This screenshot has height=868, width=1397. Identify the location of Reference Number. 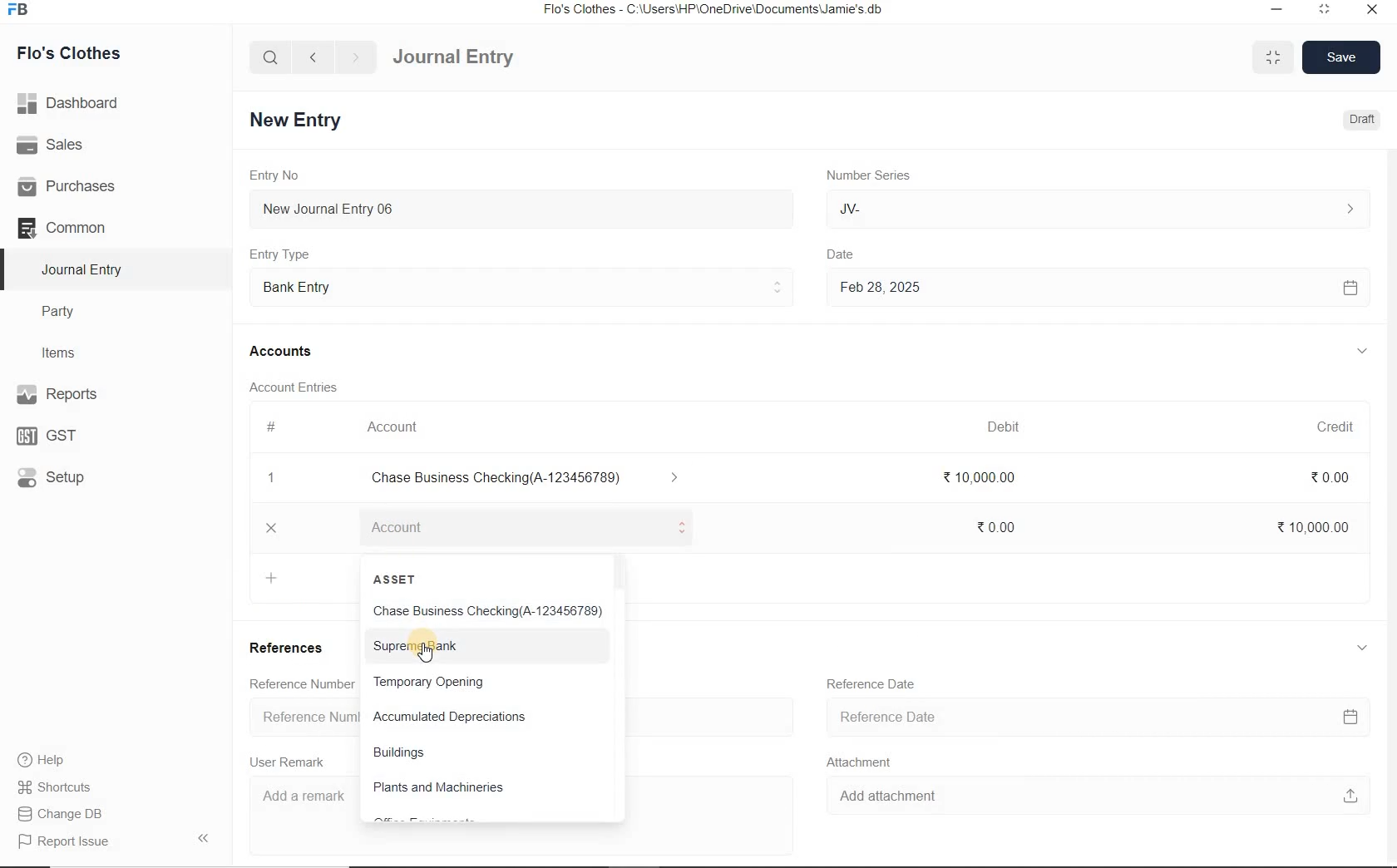
(303, 716).